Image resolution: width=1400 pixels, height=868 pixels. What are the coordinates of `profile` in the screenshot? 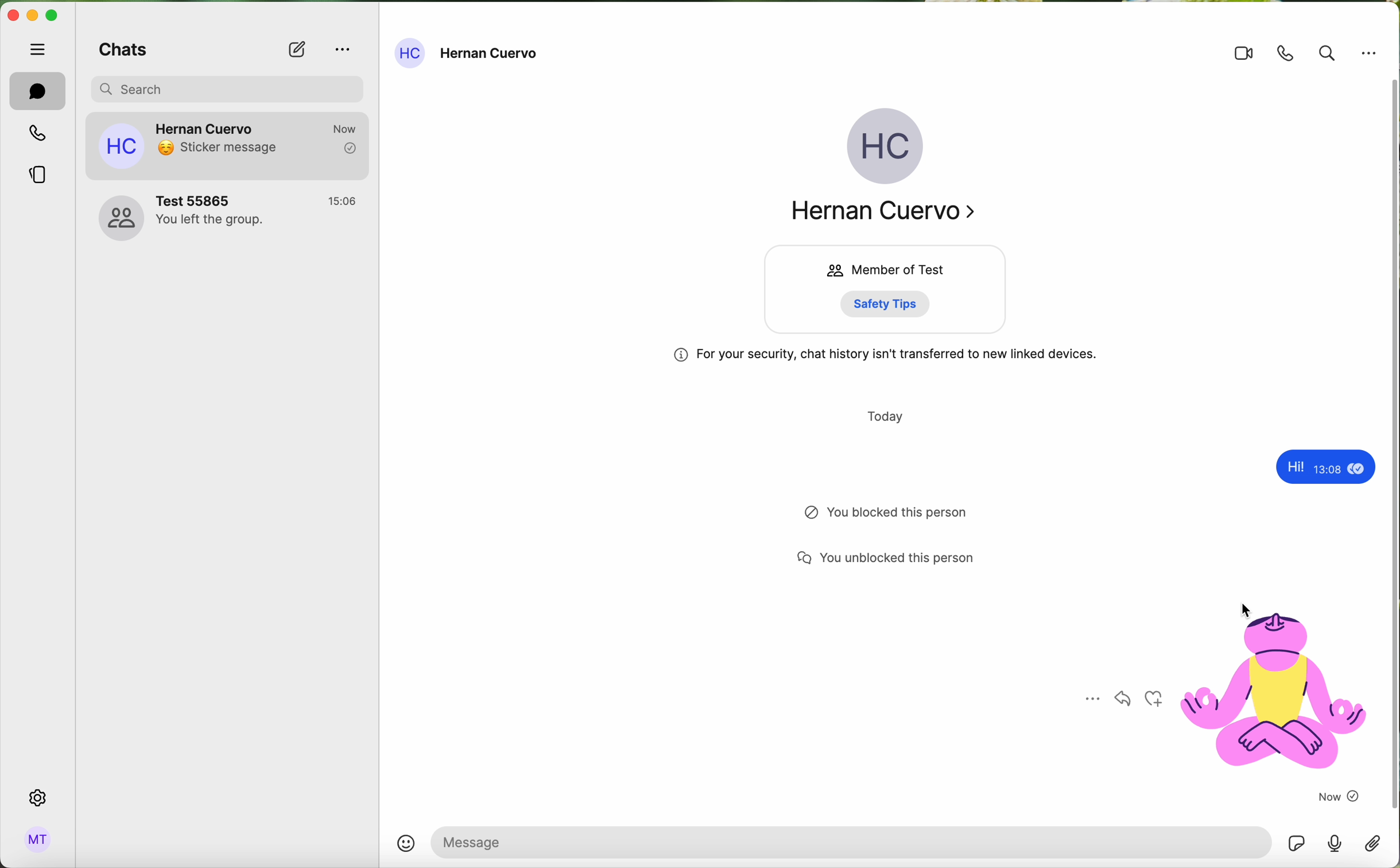 It's located at (38, 840).